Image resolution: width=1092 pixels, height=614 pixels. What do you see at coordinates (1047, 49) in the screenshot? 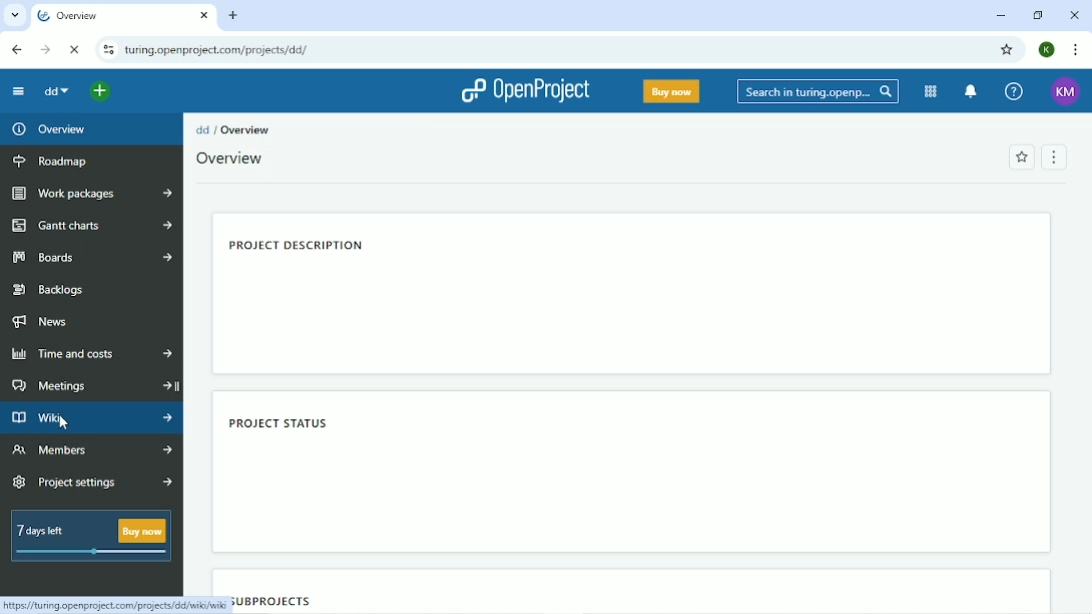
I see `Account` at bounding box center [1047, 49].